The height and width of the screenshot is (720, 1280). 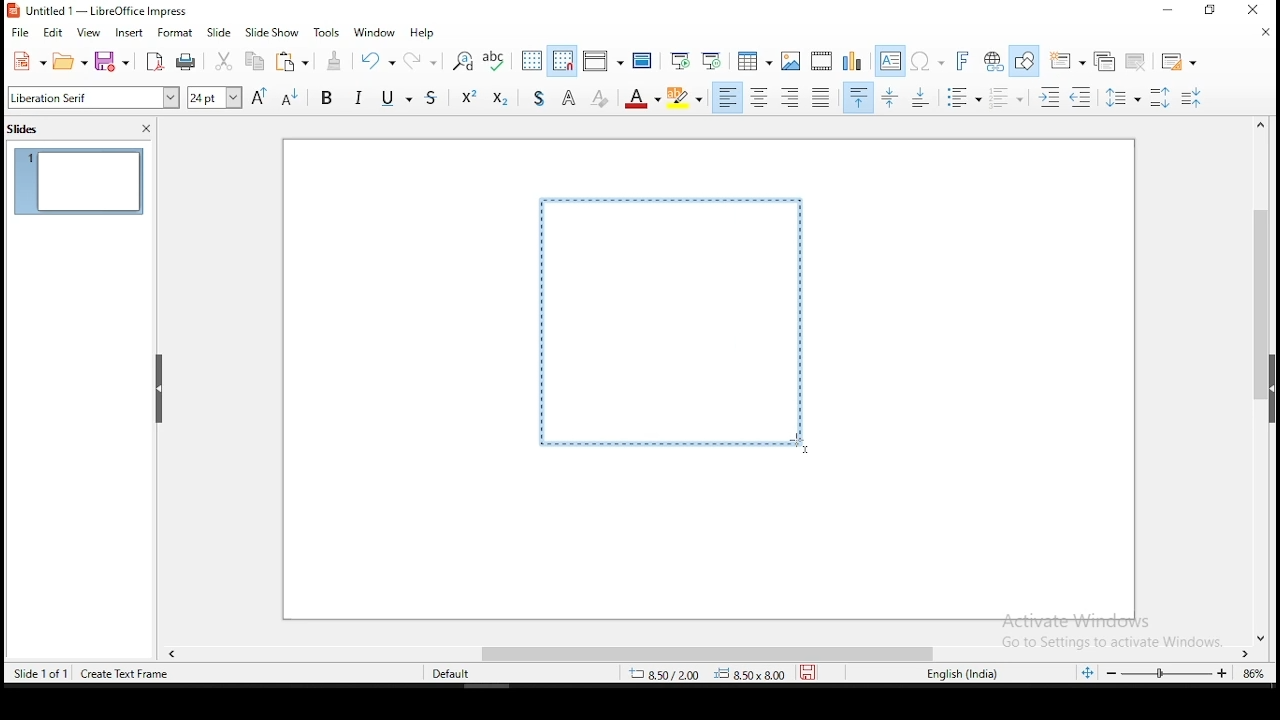 I want to click on window, so click(x=374, y=32).